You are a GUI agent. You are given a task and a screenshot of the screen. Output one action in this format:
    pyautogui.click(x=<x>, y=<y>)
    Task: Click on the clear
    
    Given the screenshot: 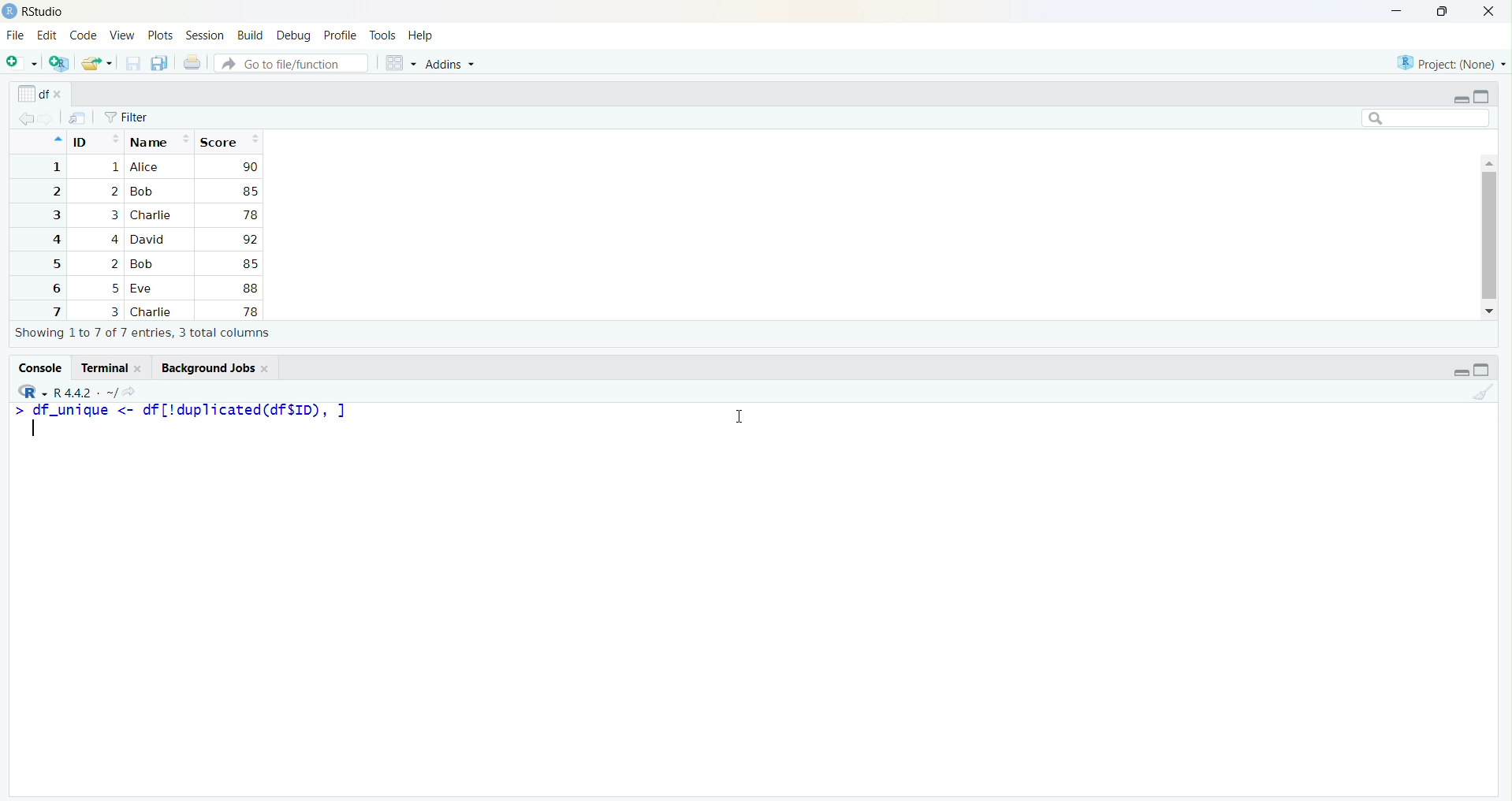 What is the action you would take?
    pyautogui.click(x=1482, y=391)
    